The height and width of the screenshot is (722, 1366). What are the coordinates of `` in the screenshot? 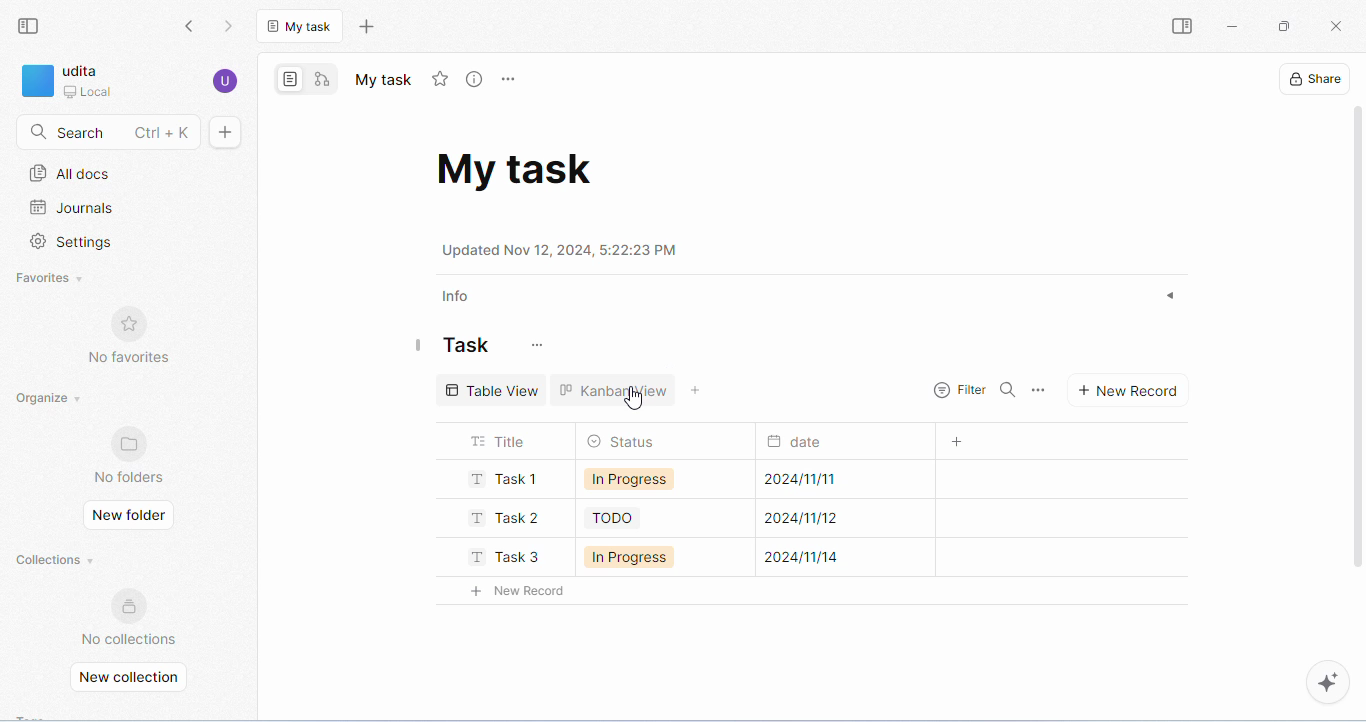 It's located at (797, 444).